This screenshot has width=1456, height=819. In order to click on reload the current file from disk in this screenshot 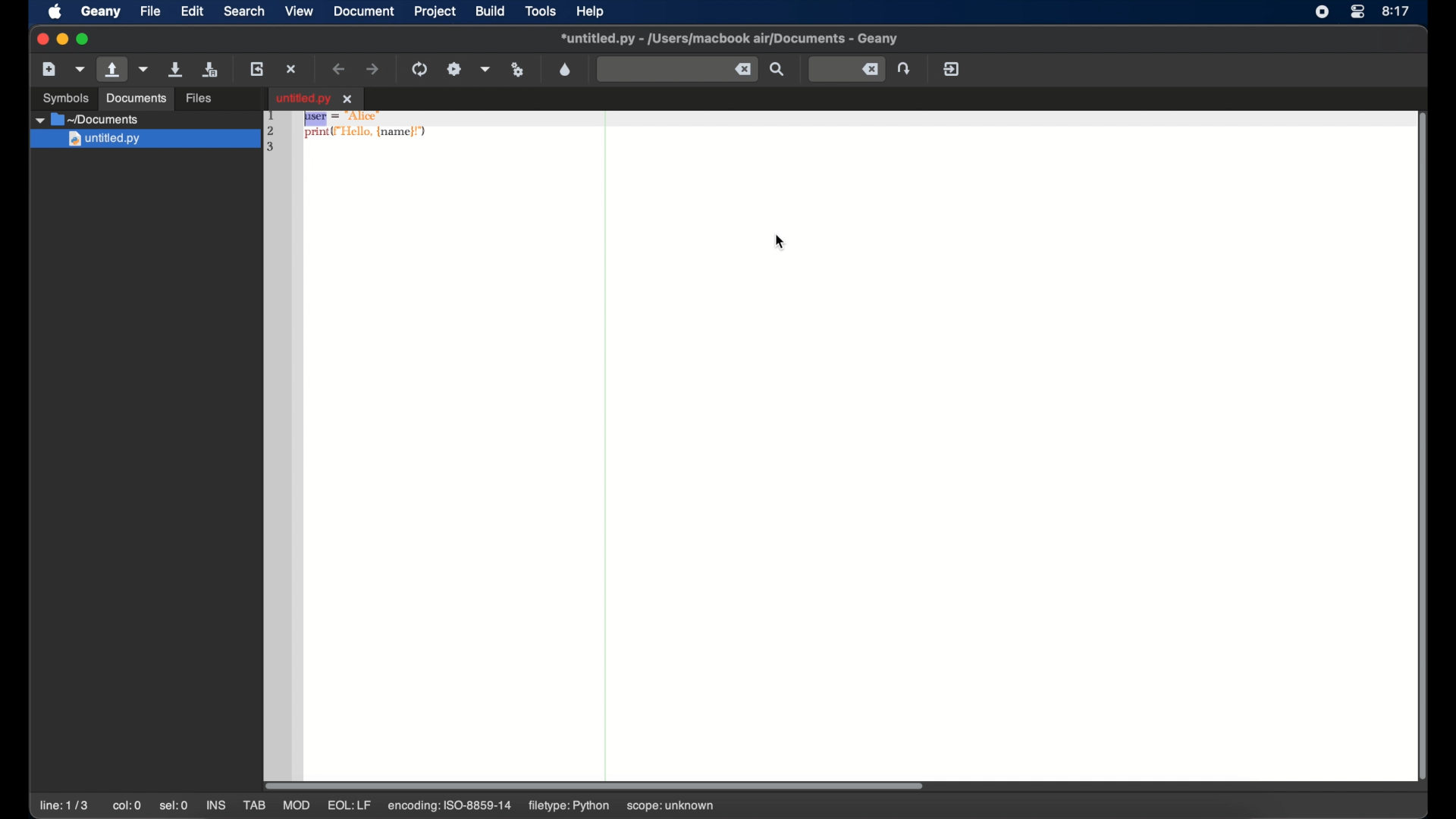, I will do `click(256, 68)`.